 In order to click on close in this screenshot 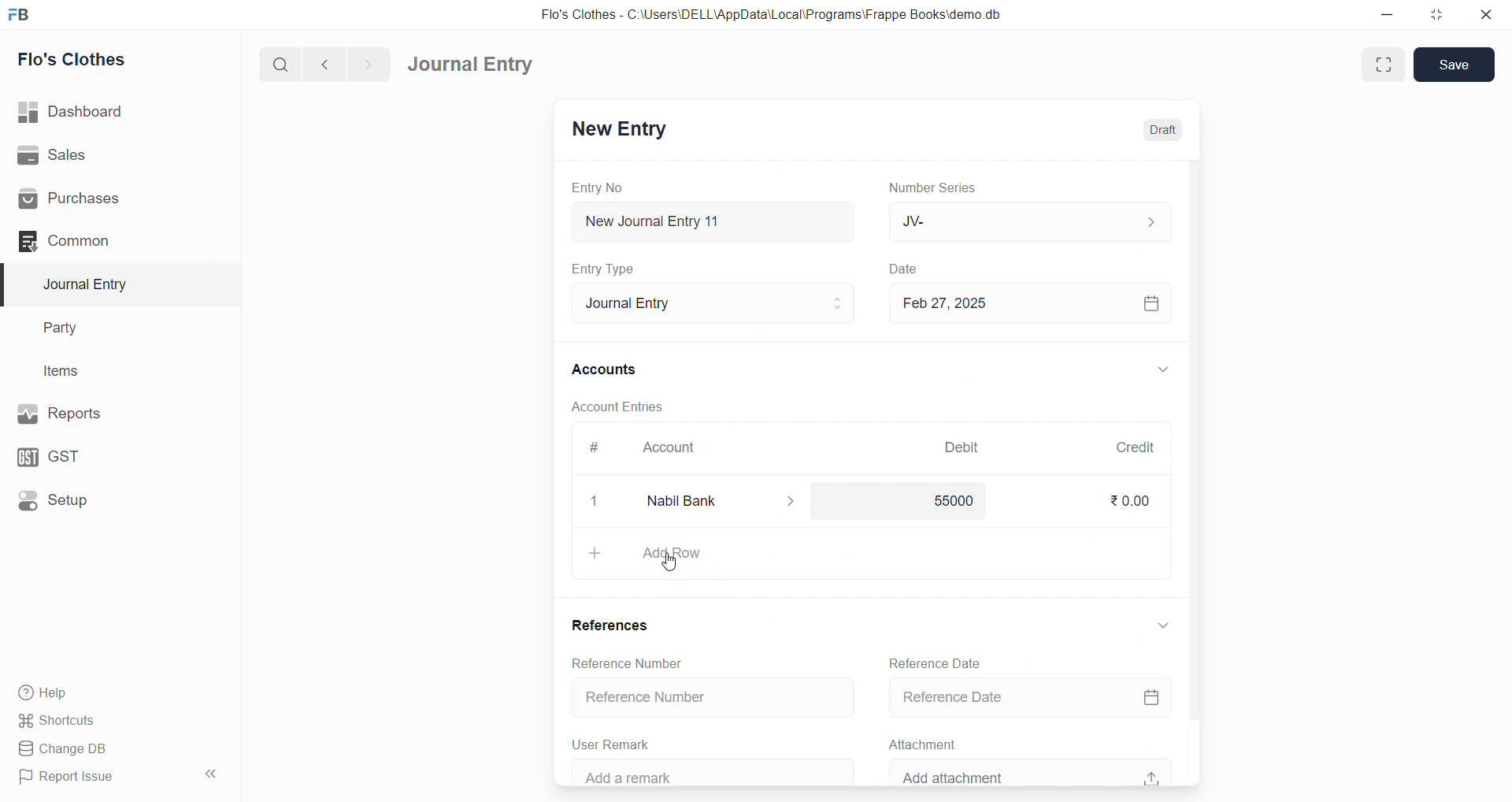, I will do `click(1488, 14)`.